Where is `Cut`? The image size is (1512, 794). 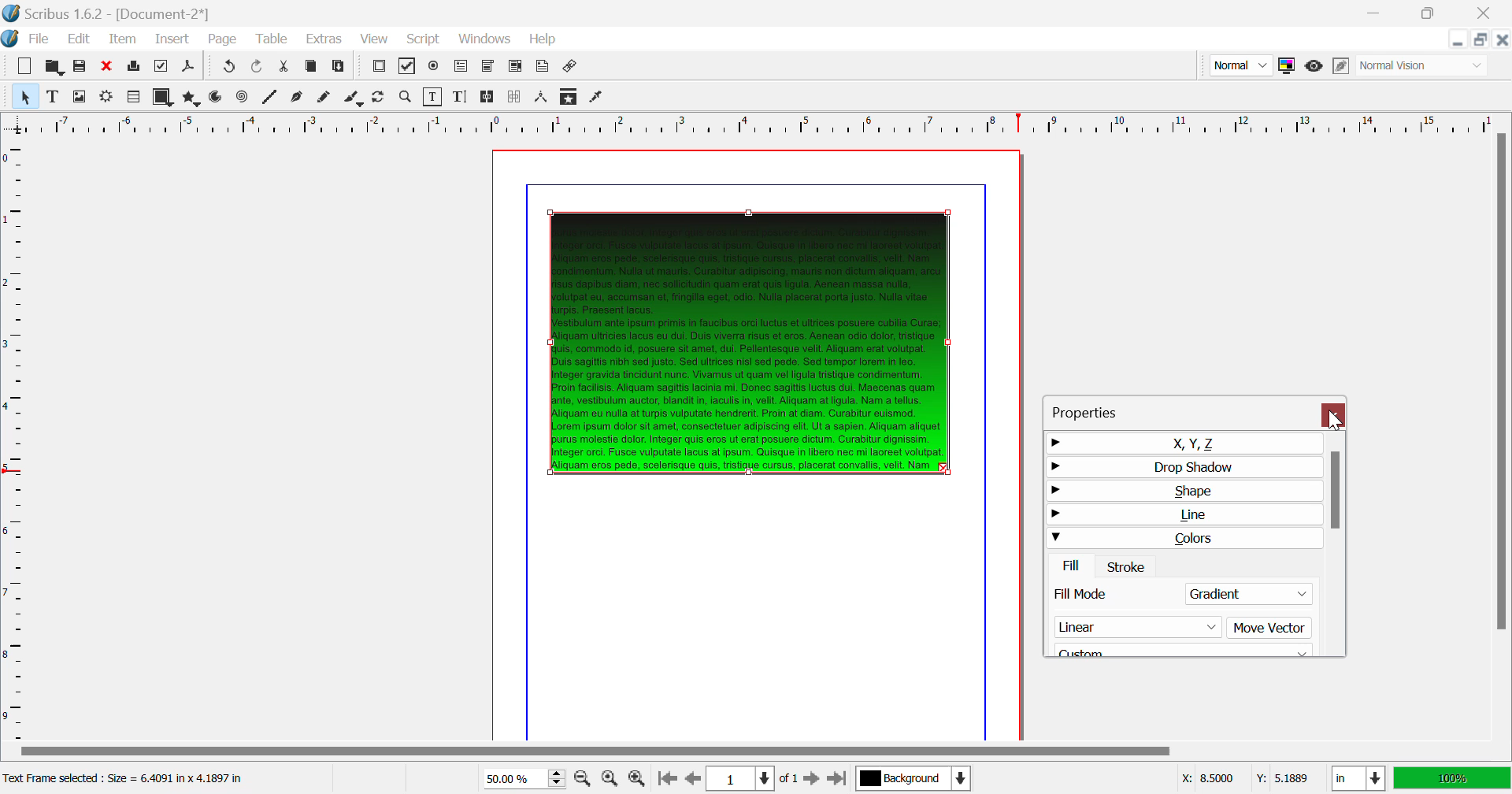 Cut is located at coordinates (285, 68).